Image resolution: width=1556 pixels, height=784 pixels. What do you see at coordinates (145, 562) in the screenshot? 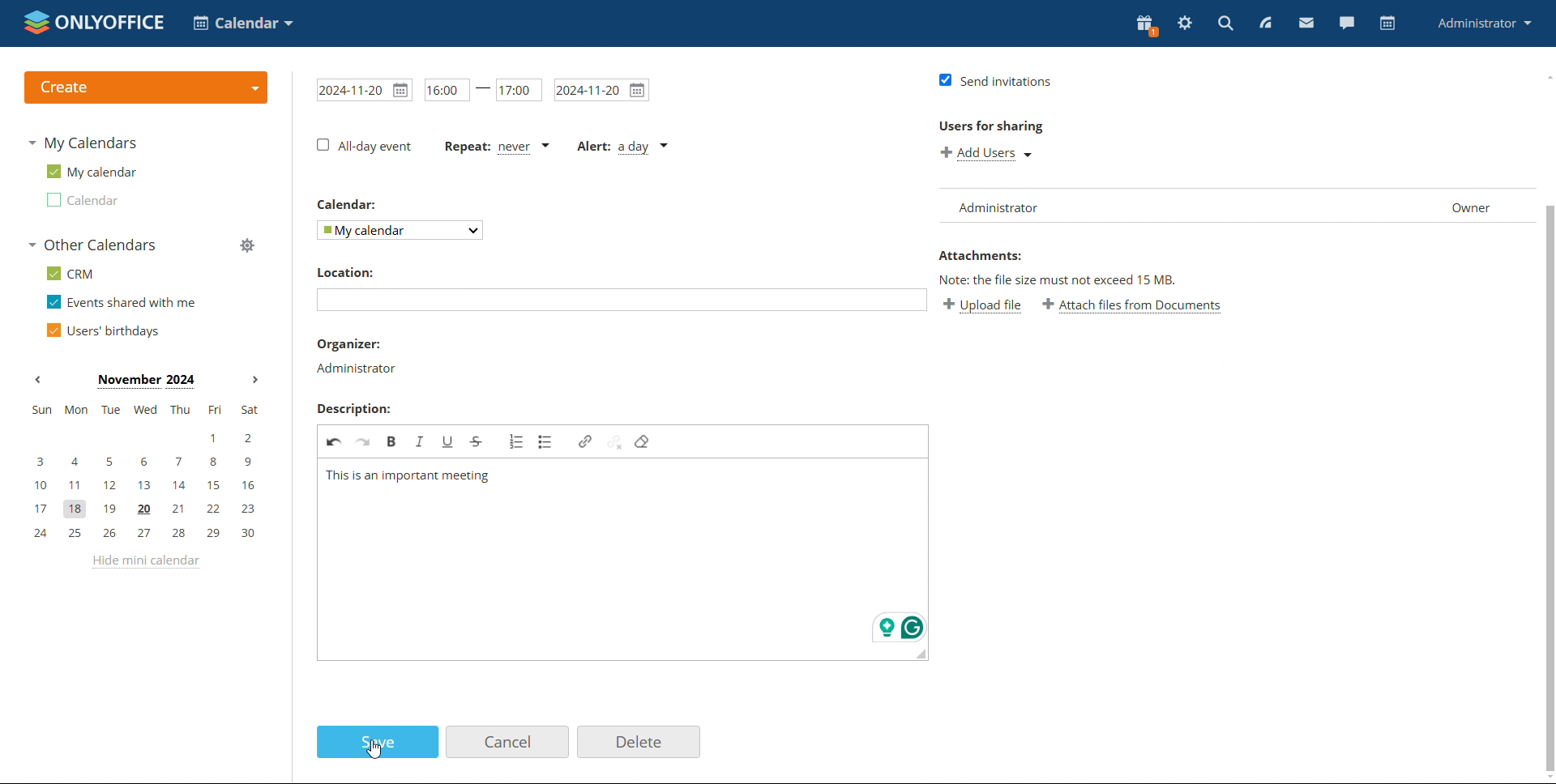
I see `hide mini calendar` at bounding box center [145, 562].